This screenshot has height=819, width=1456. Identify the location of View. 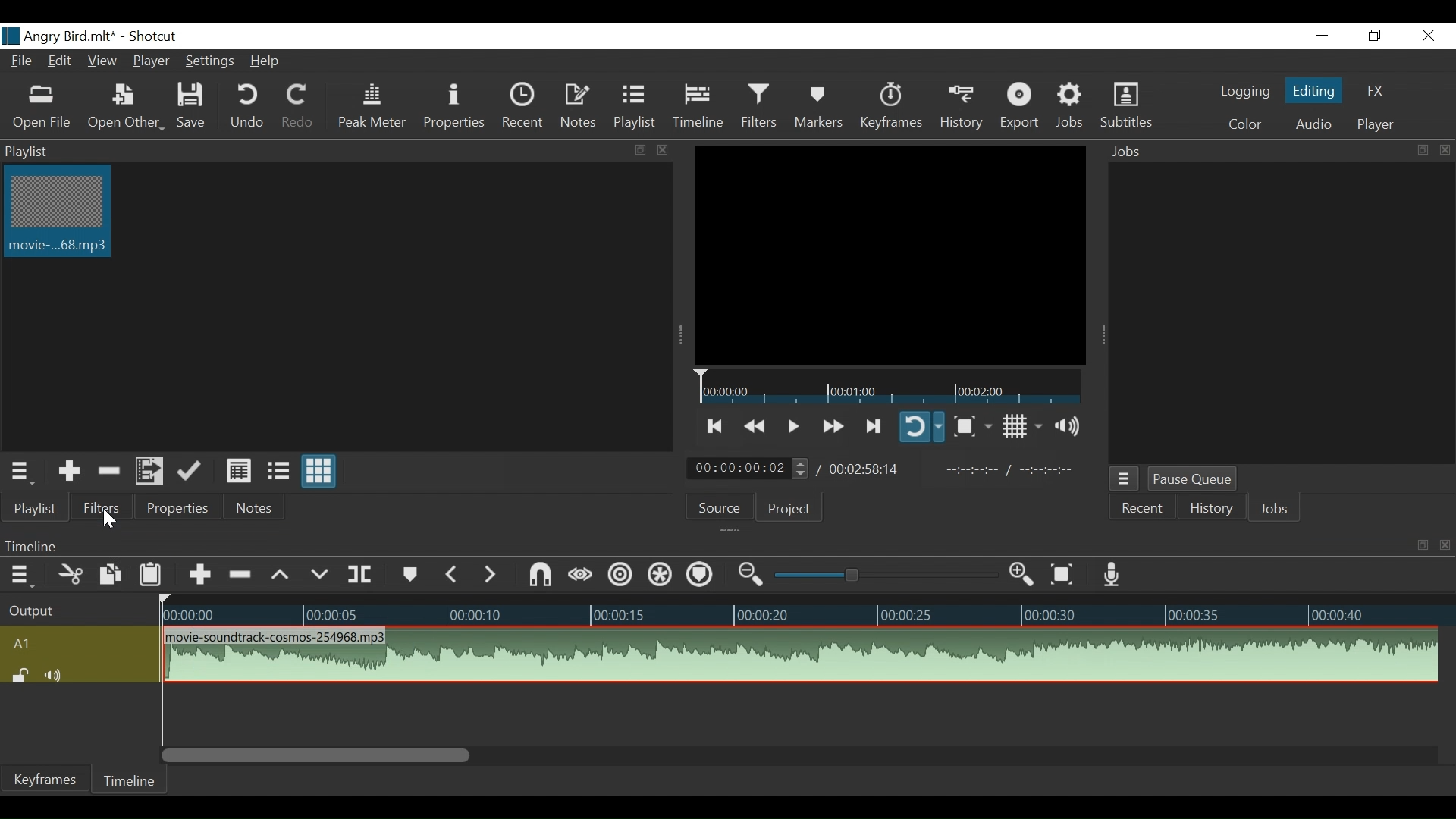
(102, 63).